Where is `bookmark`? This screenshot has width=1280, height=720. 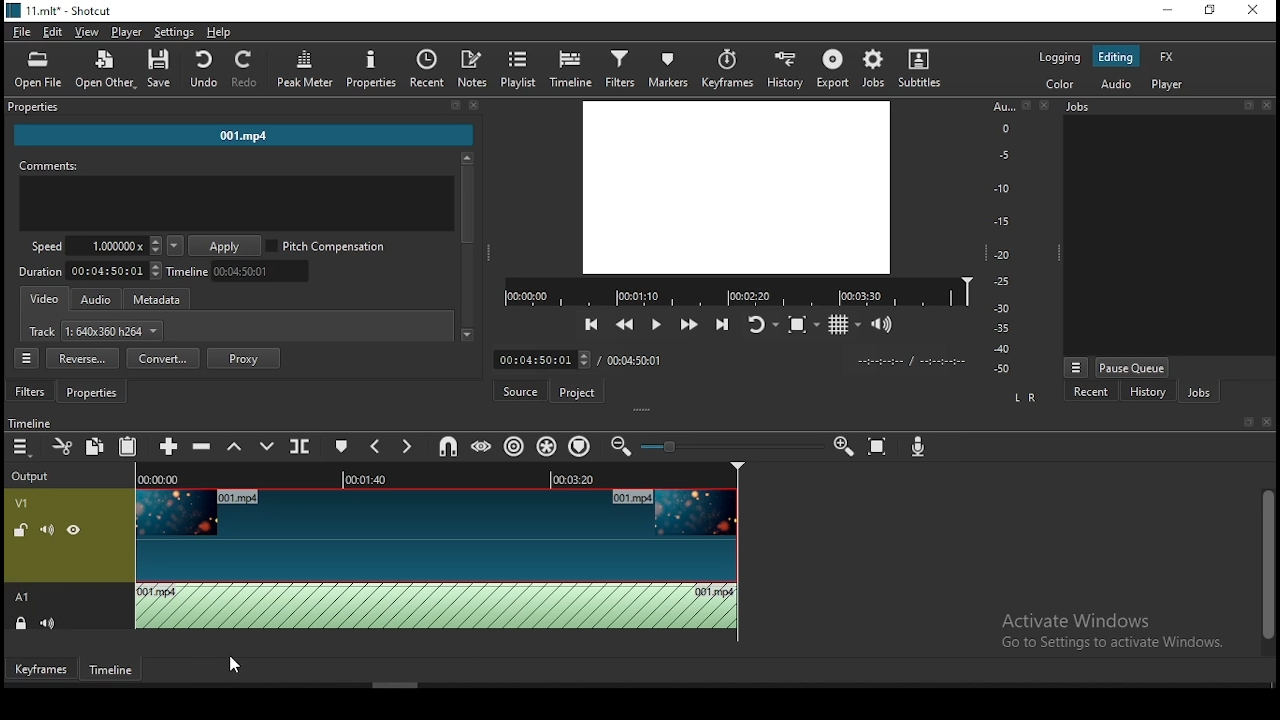
bookmark is located at coordinates (1246, 422).